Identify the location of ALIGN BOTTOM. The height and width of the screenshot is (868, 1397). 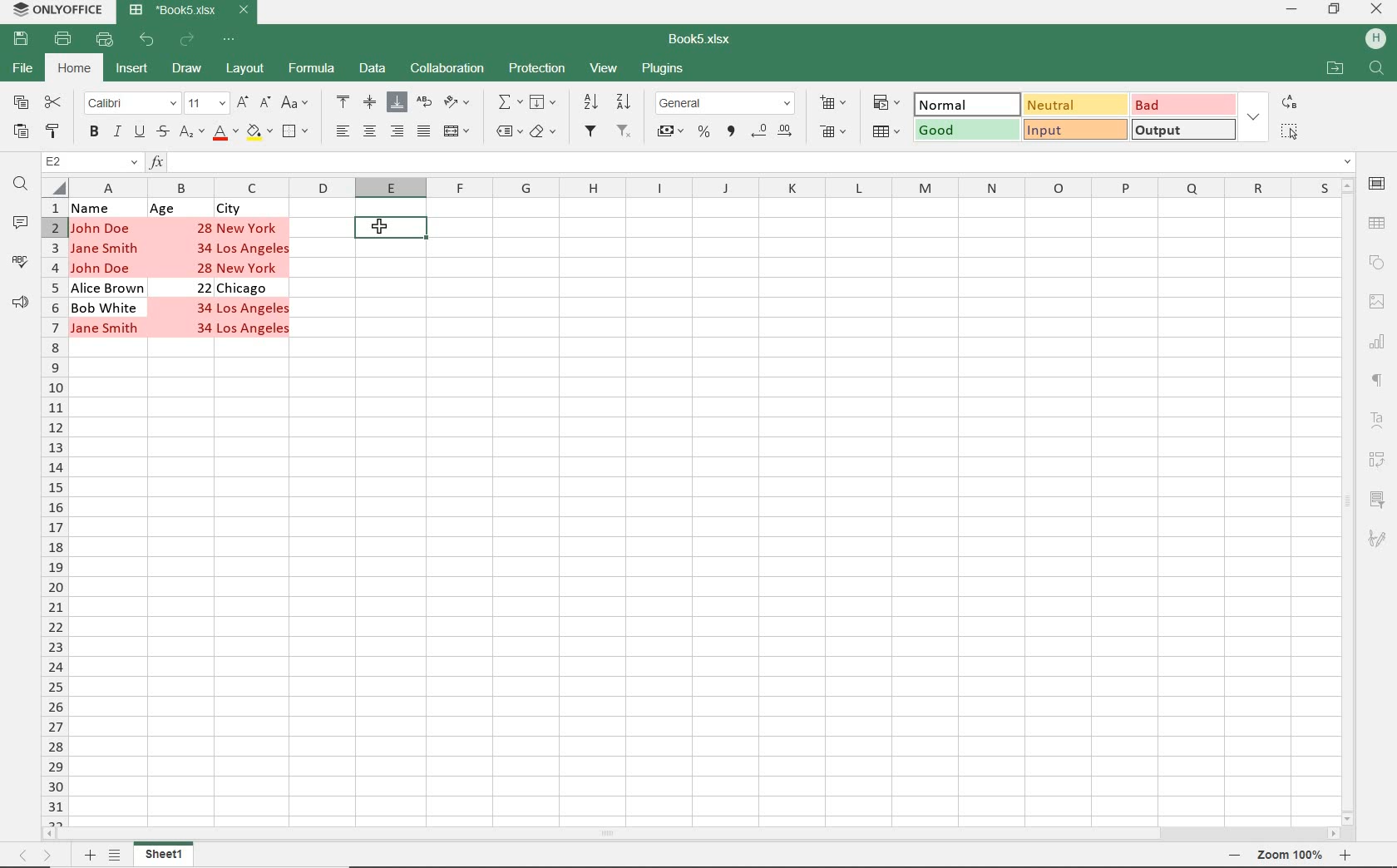
(395, 102).